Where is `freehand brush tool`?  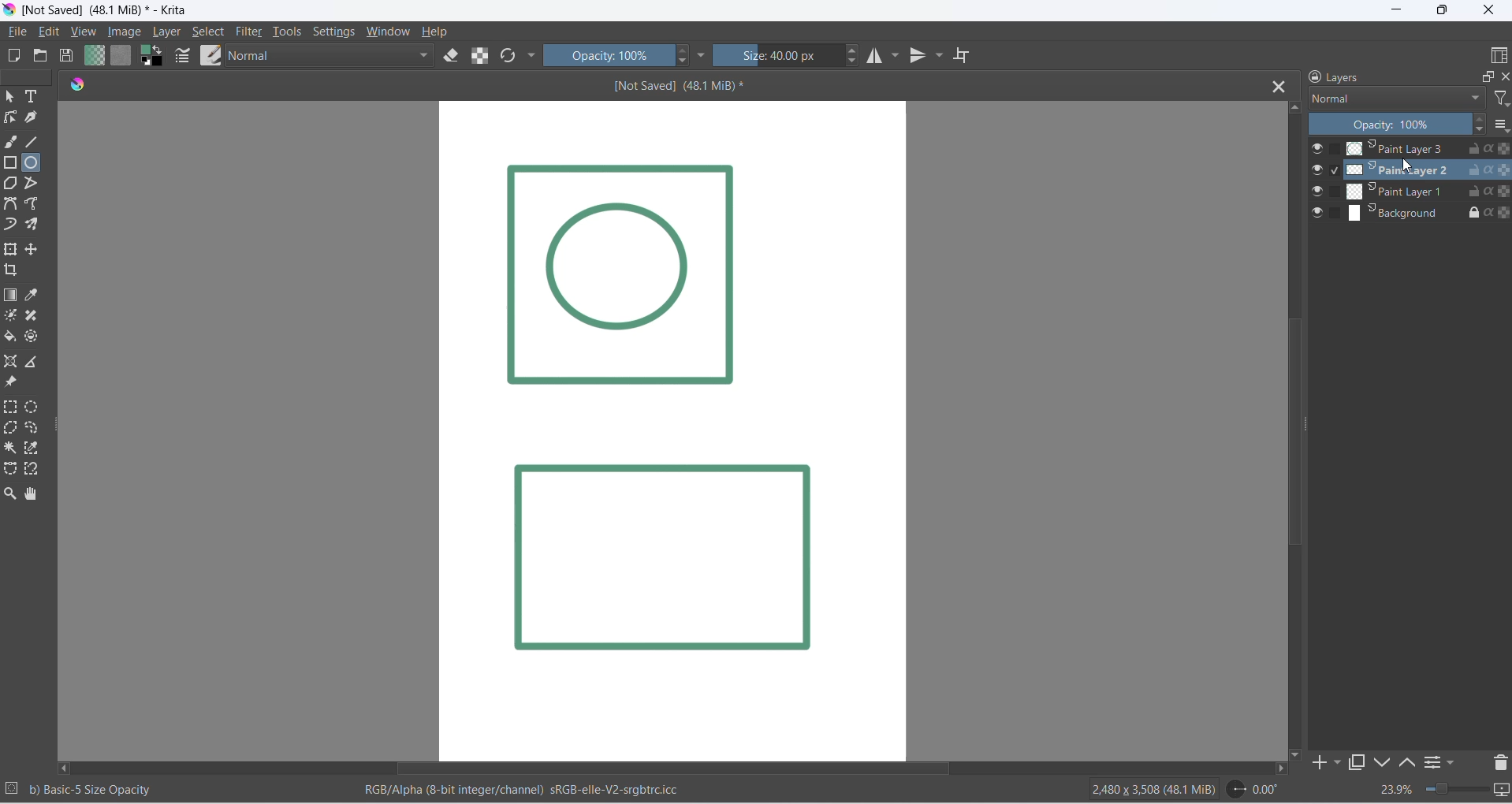 freehand brush tool is located at coordinates (11, 143).